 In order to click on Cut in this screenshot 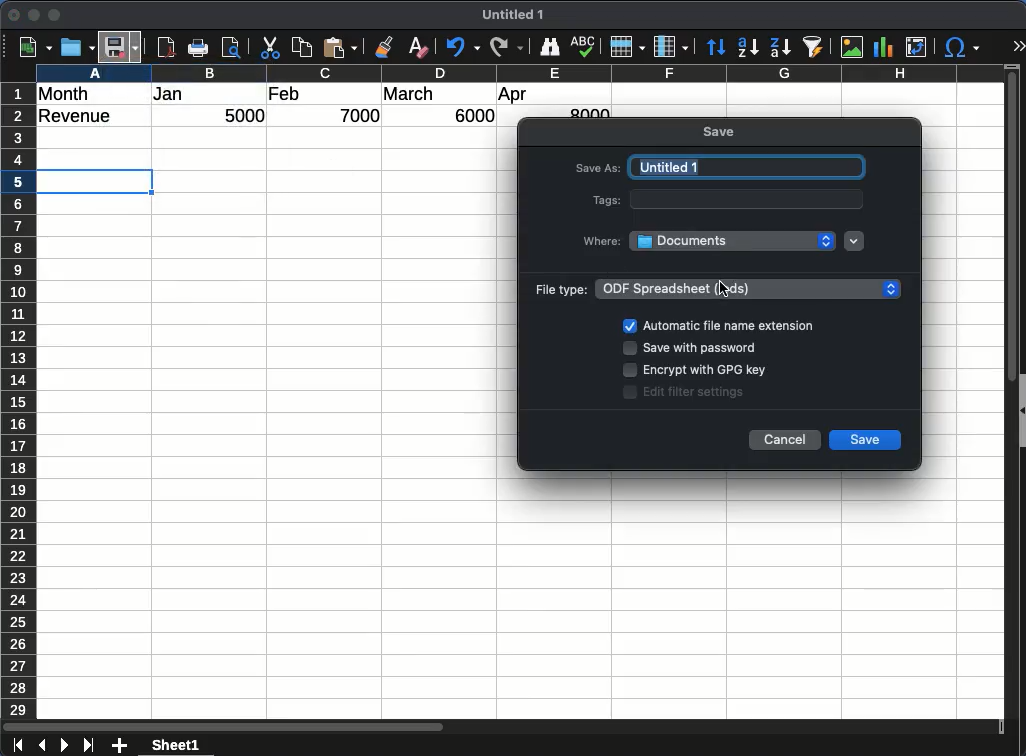, I will do `click(270, 48)`.